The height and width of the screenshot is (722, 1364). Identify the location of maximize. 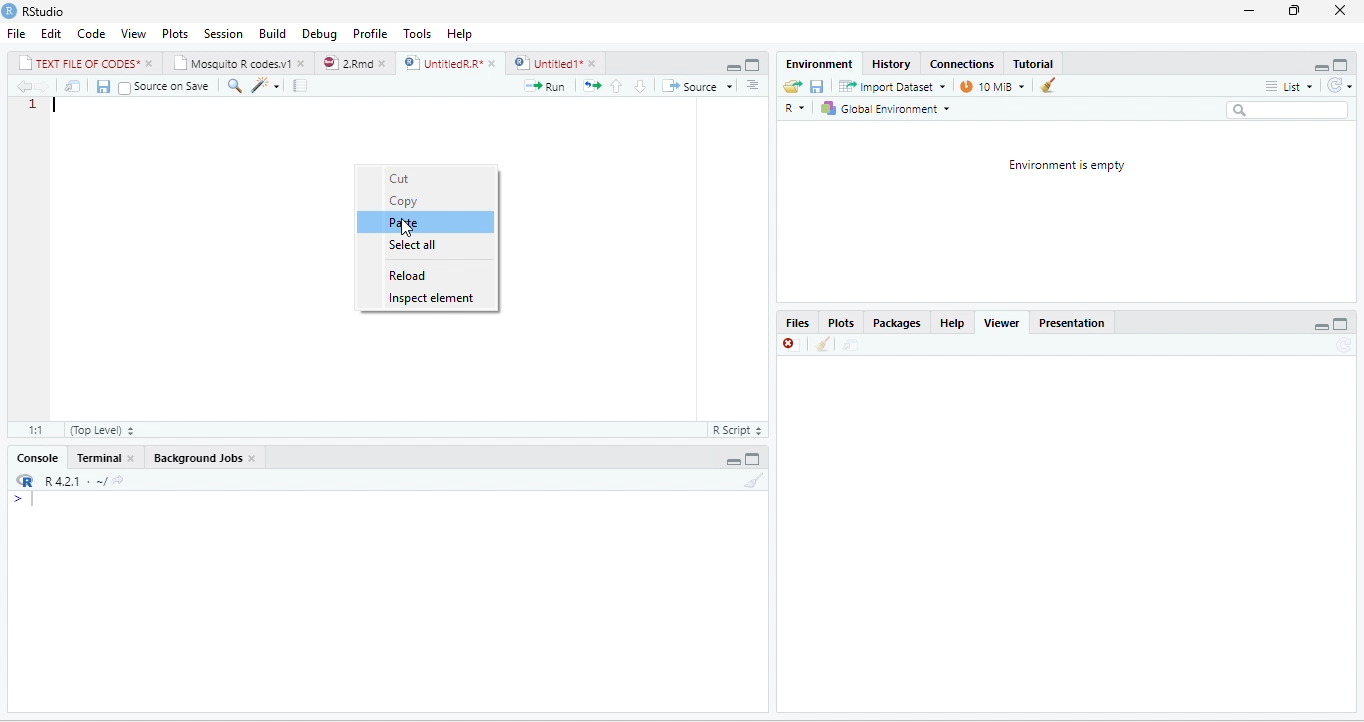
(1343, 323).